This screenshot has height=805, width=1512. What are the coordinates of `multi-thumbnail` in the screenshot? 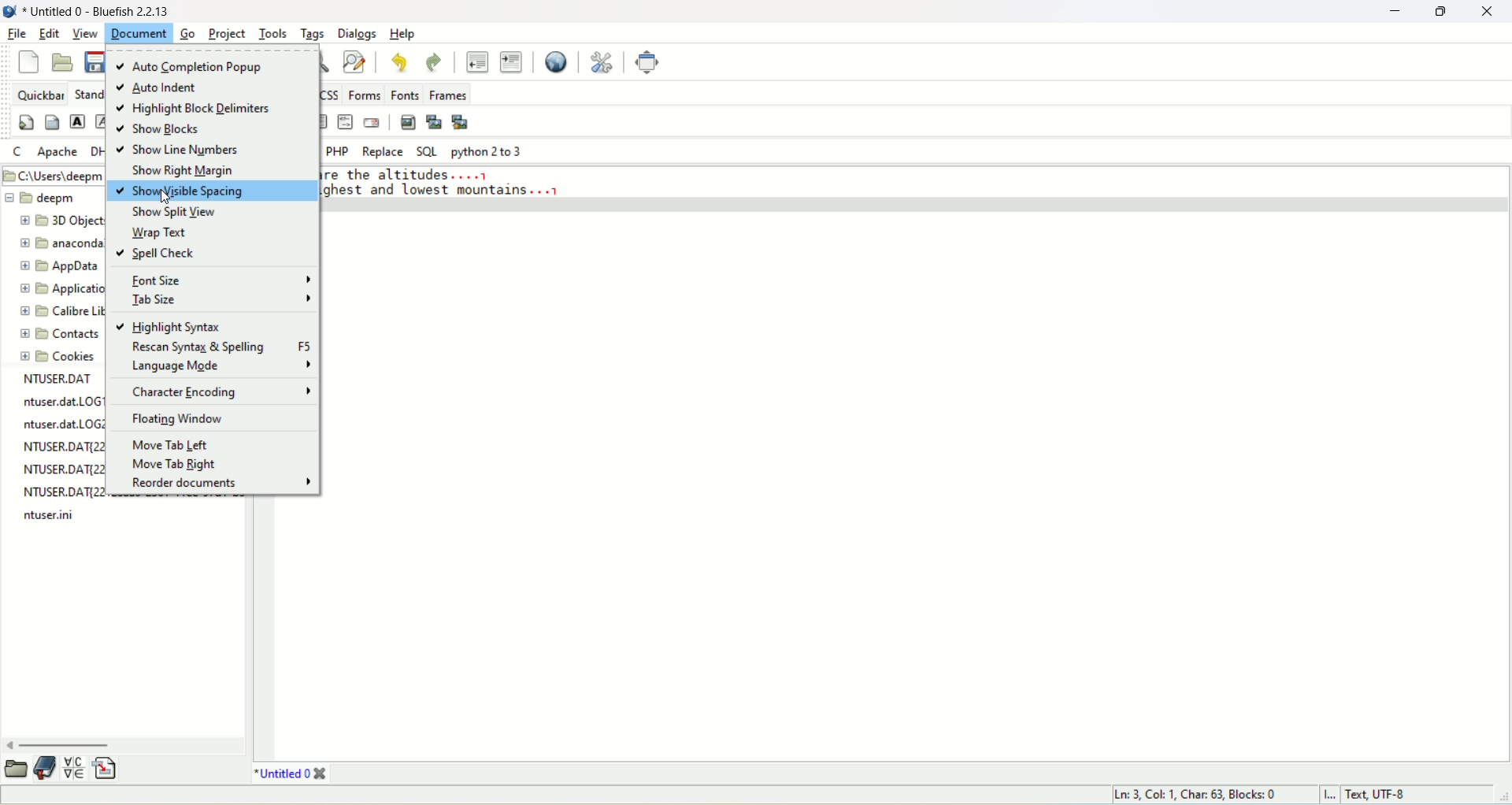 It's located at (460, 121).